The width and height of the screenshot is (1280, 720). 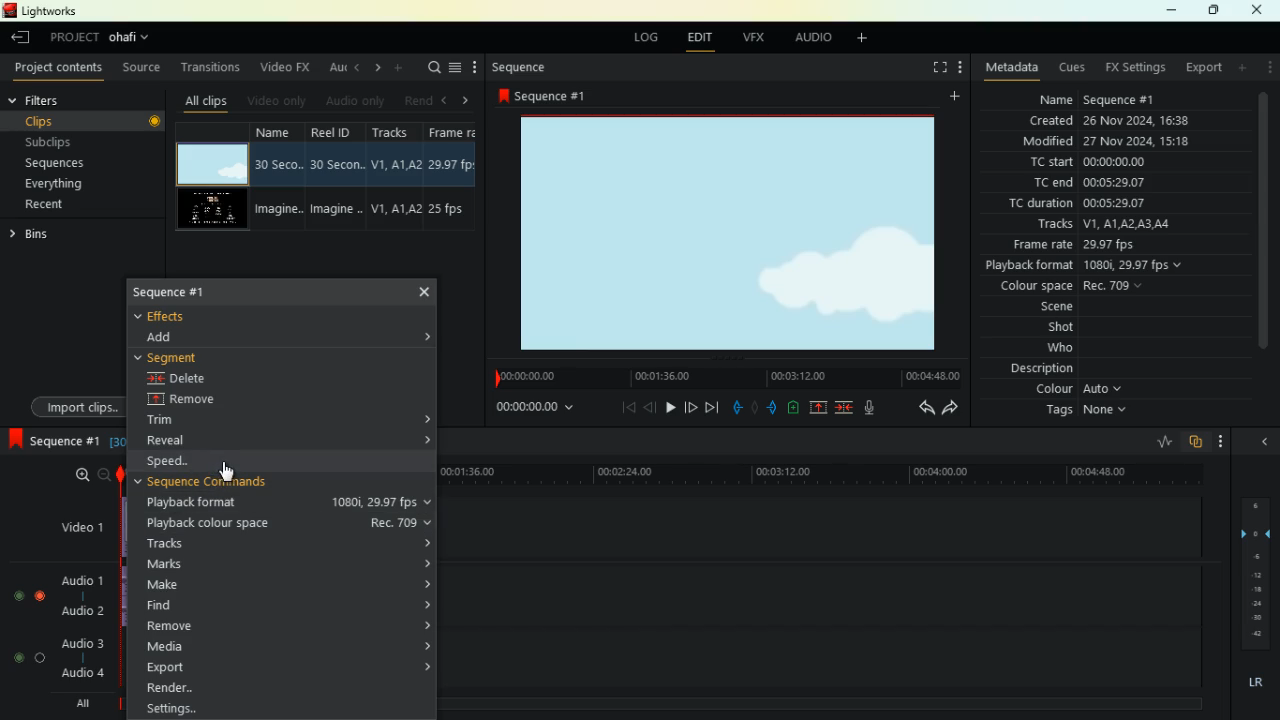 What do you see at coordinates (818, 408) in the screenshot?
I see `up` at bounding box center [818, 408].